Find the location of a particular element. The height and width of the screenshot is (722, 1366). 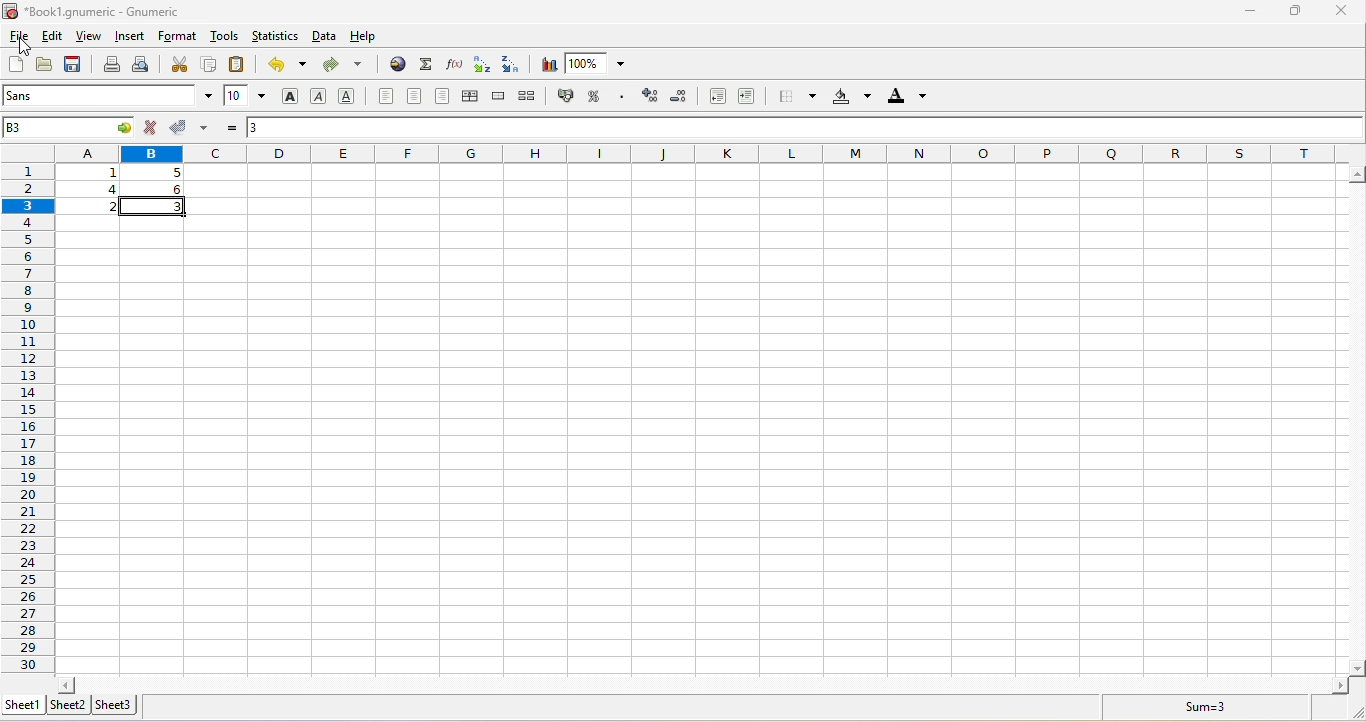

italic  is located at coordinates (318, 97).